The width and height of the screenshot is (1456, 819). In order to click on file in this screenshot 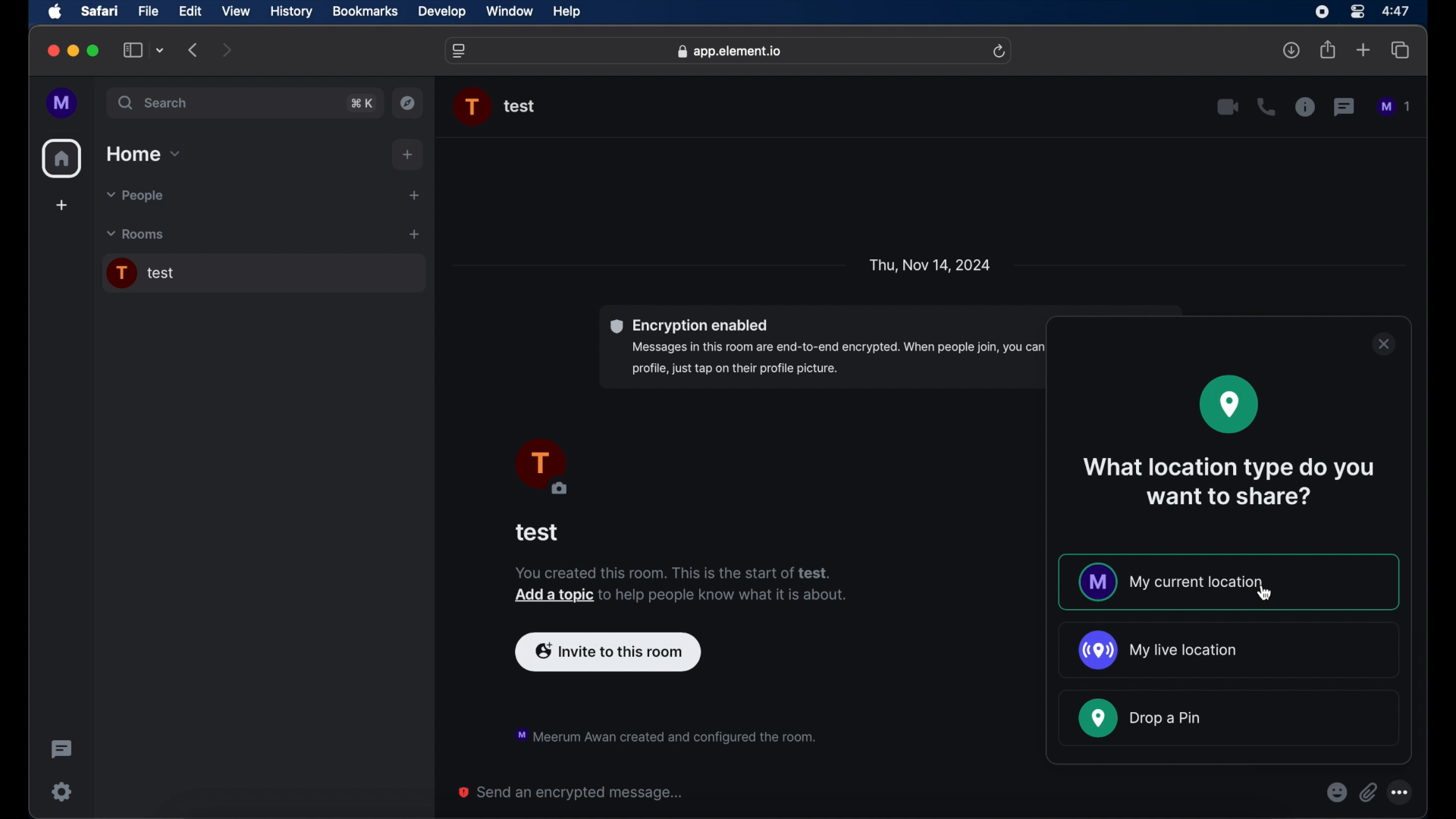, I will do `click(149, 11)`.